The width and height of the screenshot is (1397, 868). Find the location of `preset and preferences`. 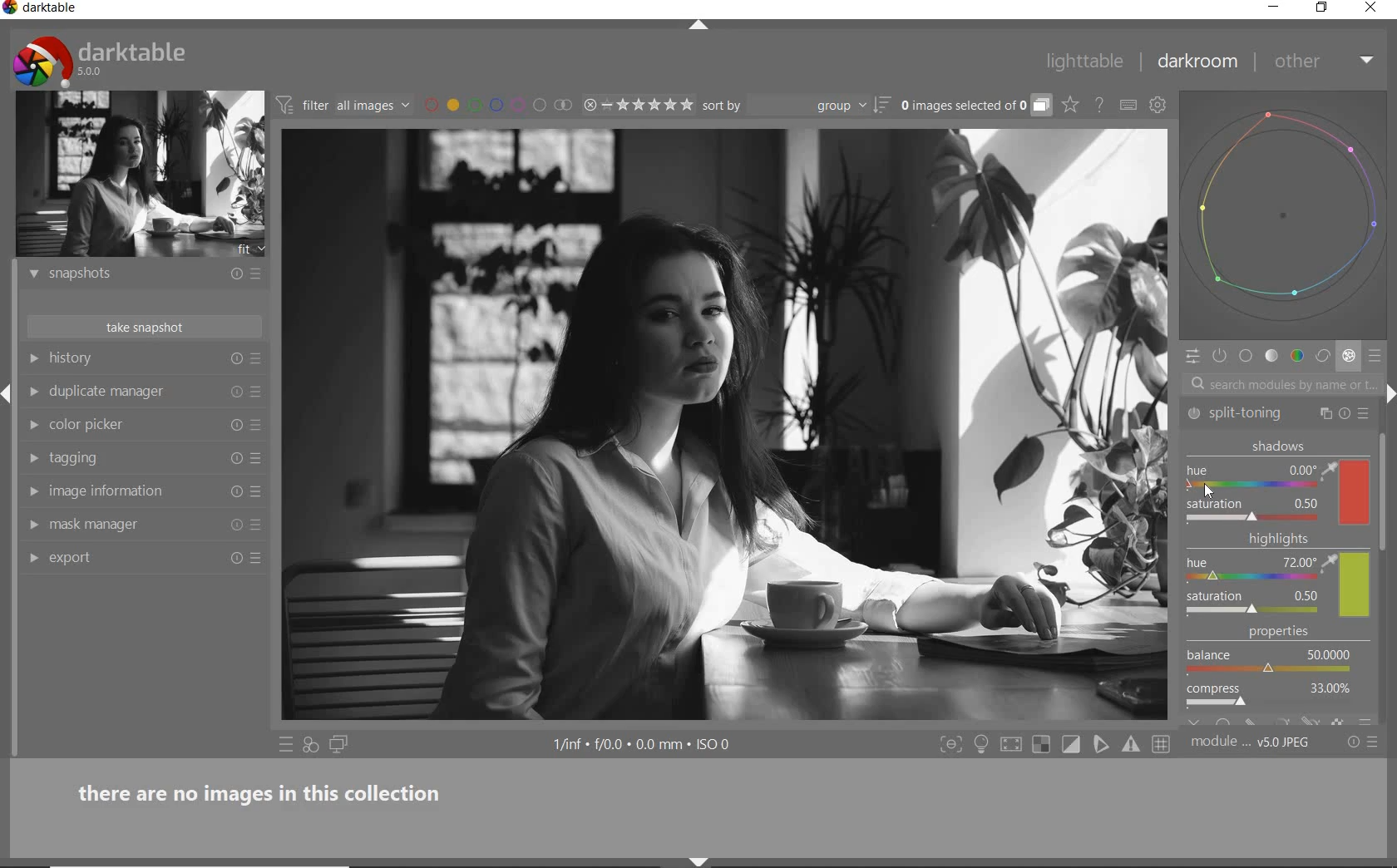

preset and preferences is located at coordinates (259, 459).